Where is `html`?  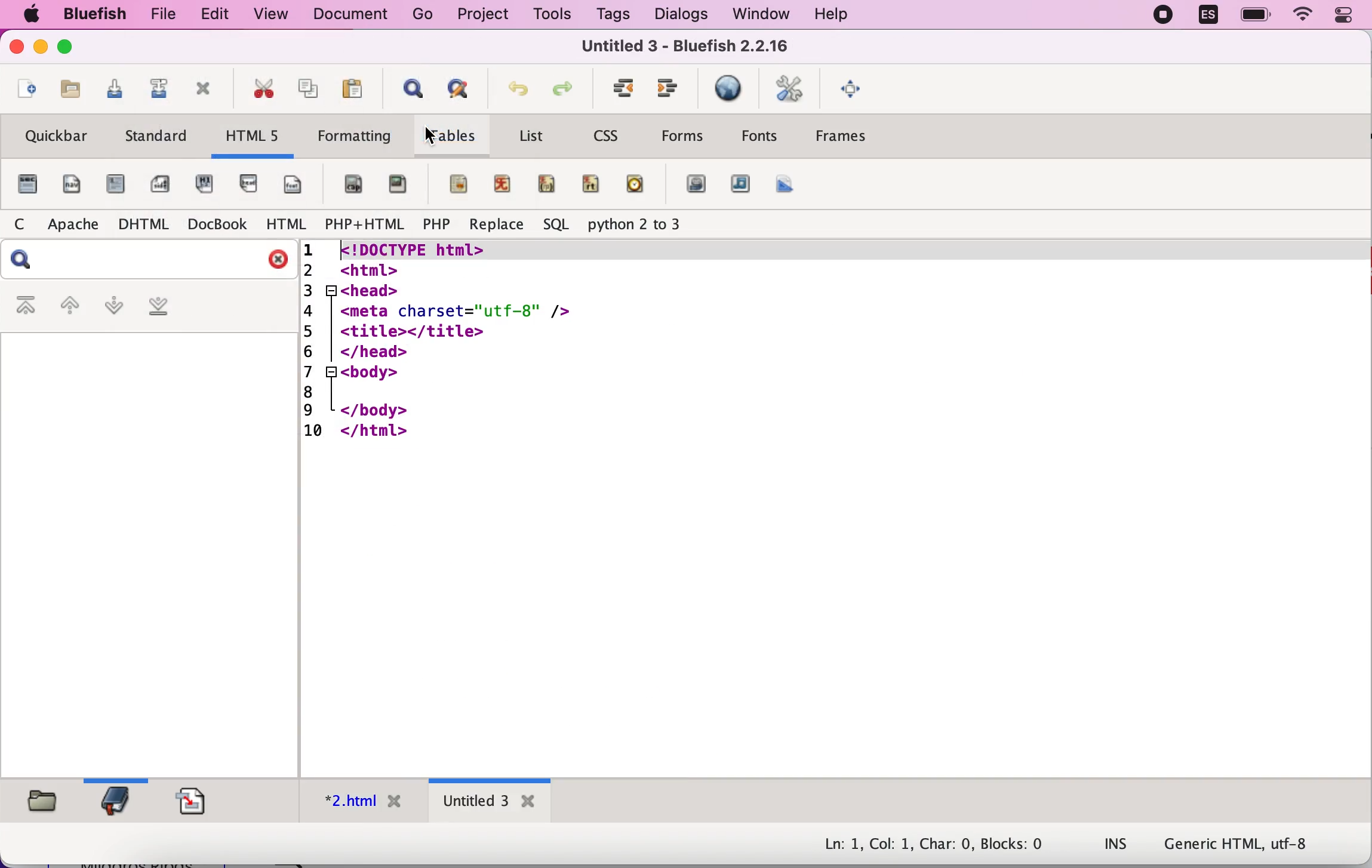
html is located at coordinates (281, 224).